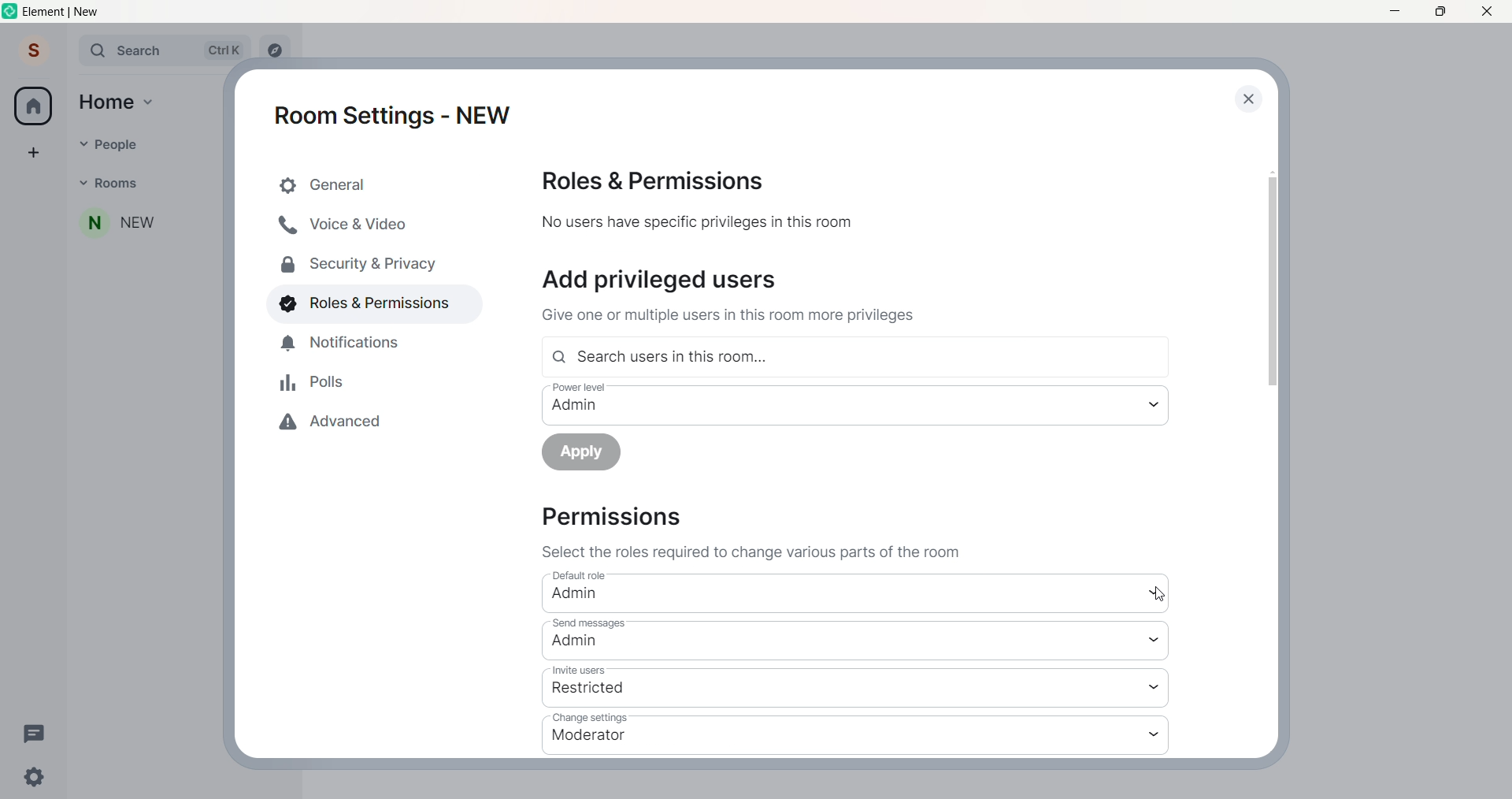 The width and height of the screenshot is (1512, 799). What do you see at coordinates (351, 262) in the screenshot?
I see `security and privacy` at bounding box center [351, 262].